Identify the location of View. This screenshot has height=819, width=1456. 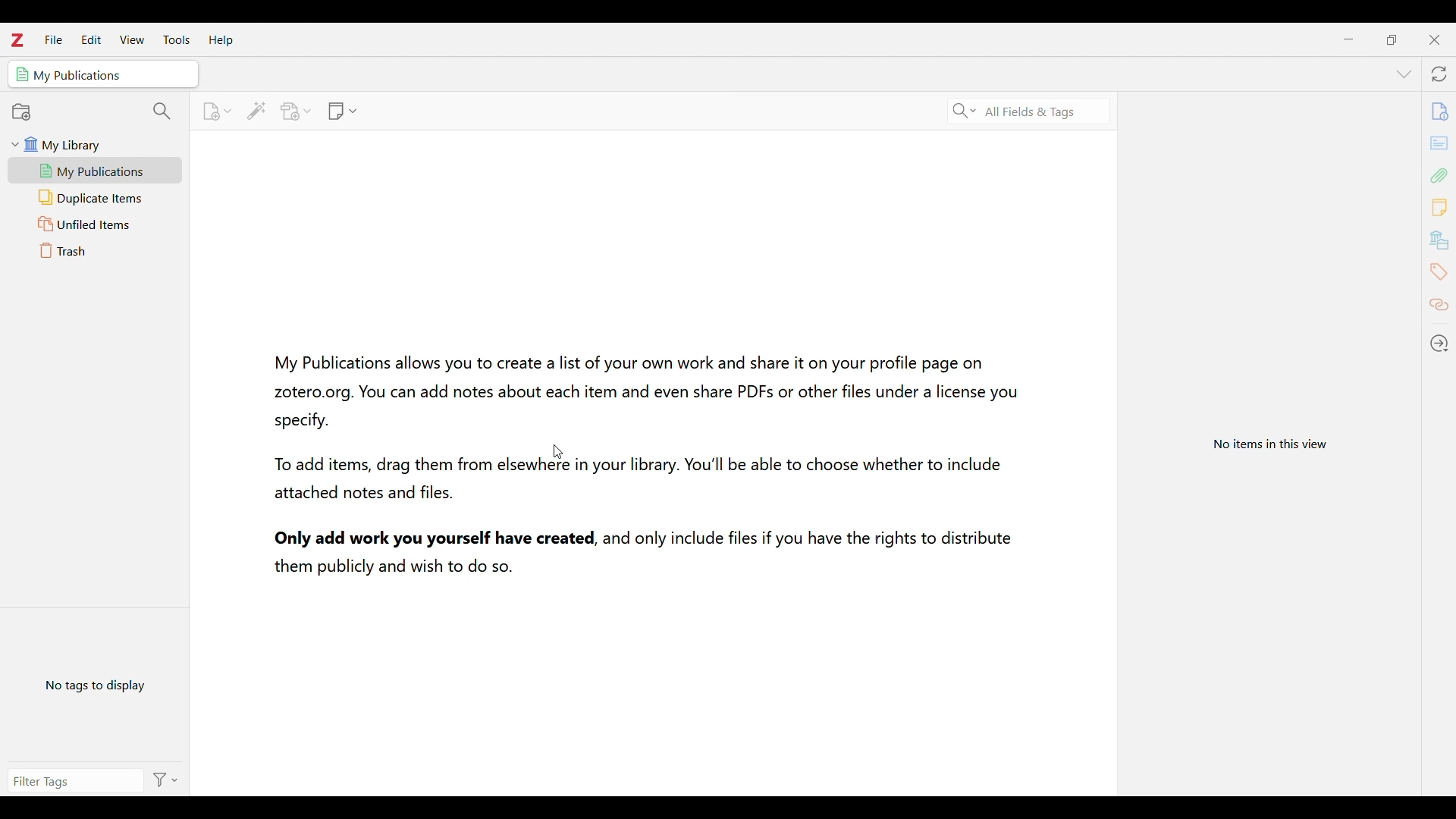
(132, 39).